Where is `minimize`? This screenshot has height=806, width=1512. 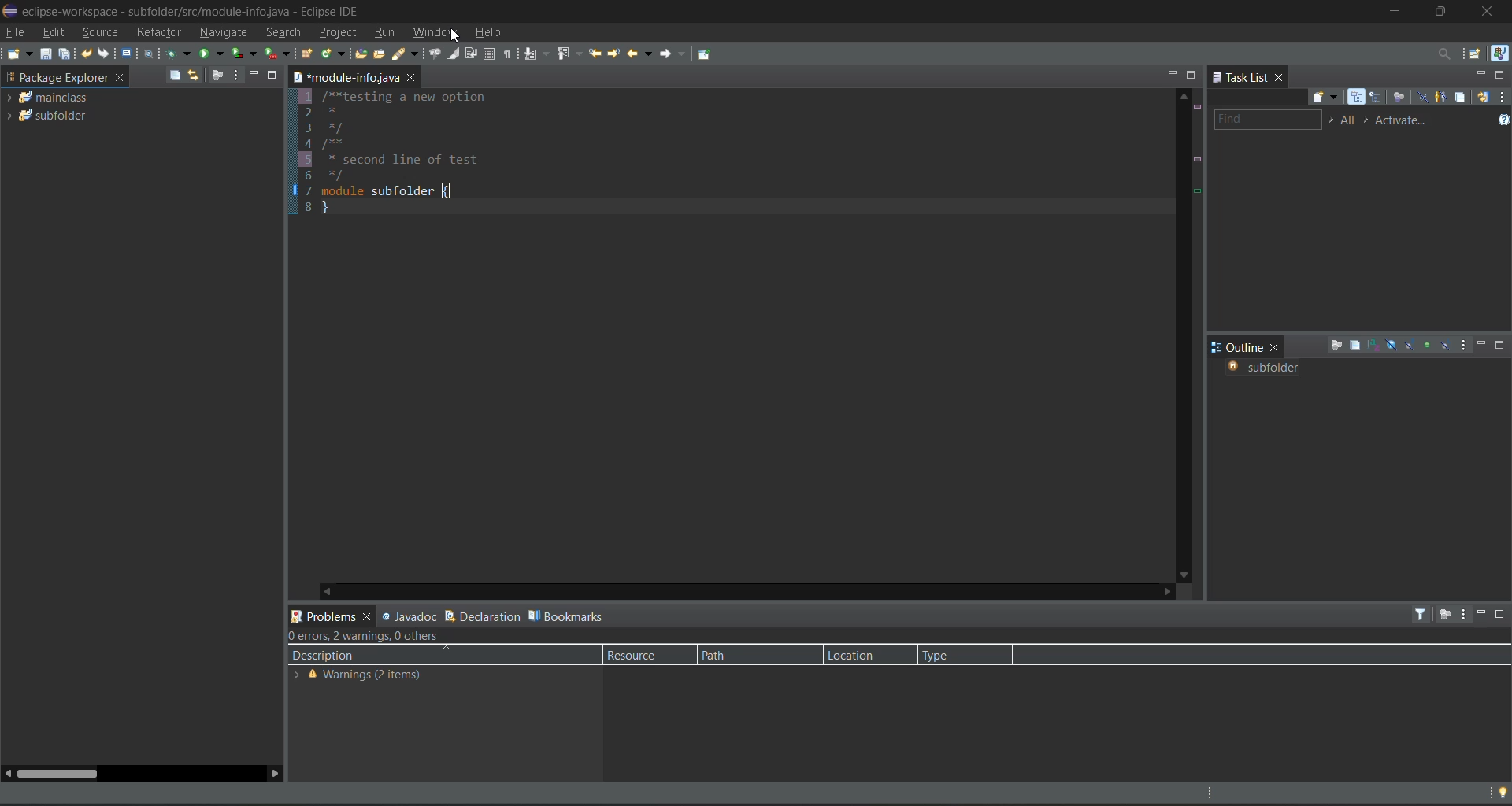
minimize is located at coordinates (1393, 12).